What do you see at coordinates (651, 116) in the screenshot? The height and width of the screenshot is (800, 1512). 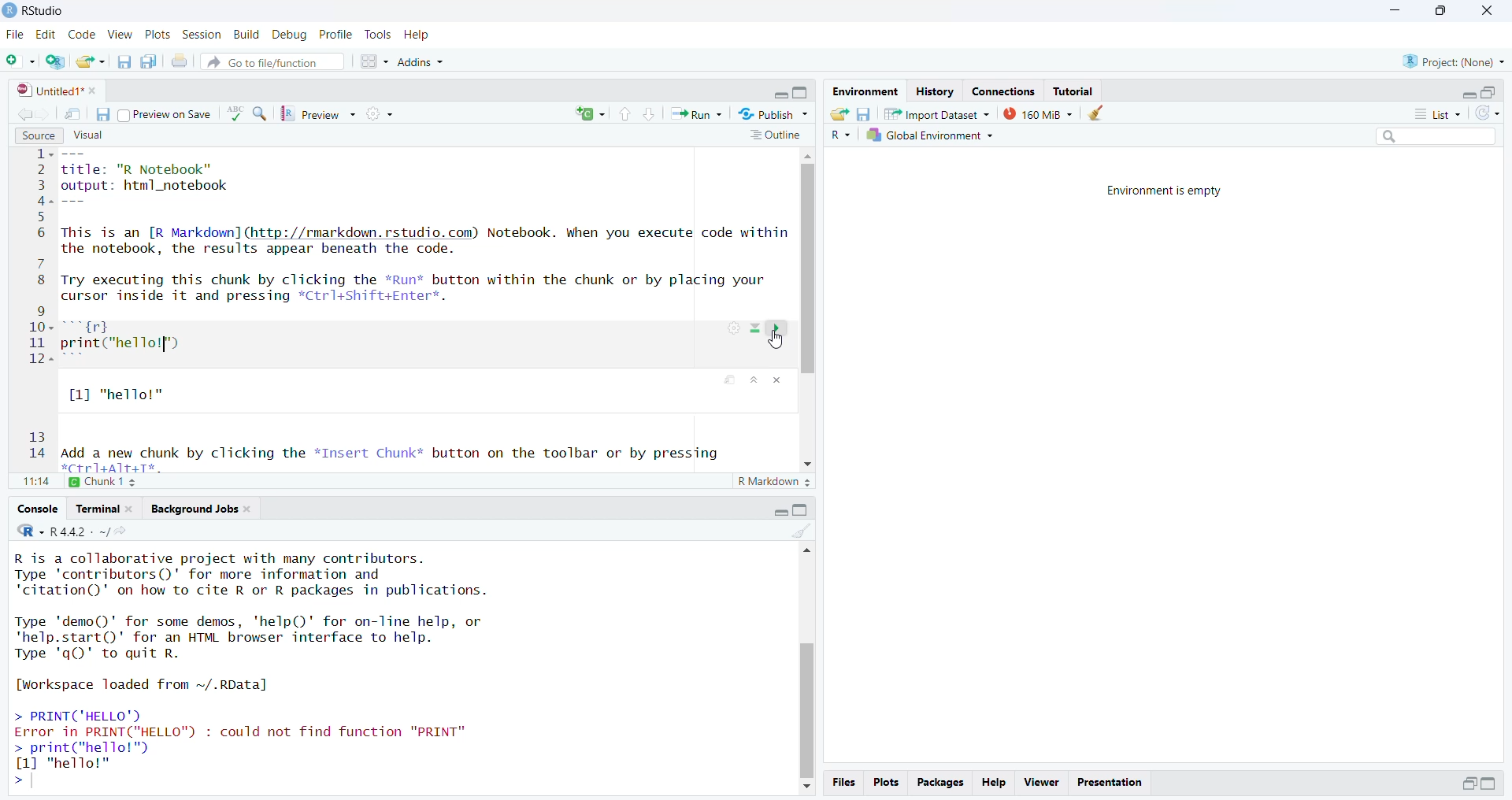 I see `go to next section` at bounding box center [651, 116].